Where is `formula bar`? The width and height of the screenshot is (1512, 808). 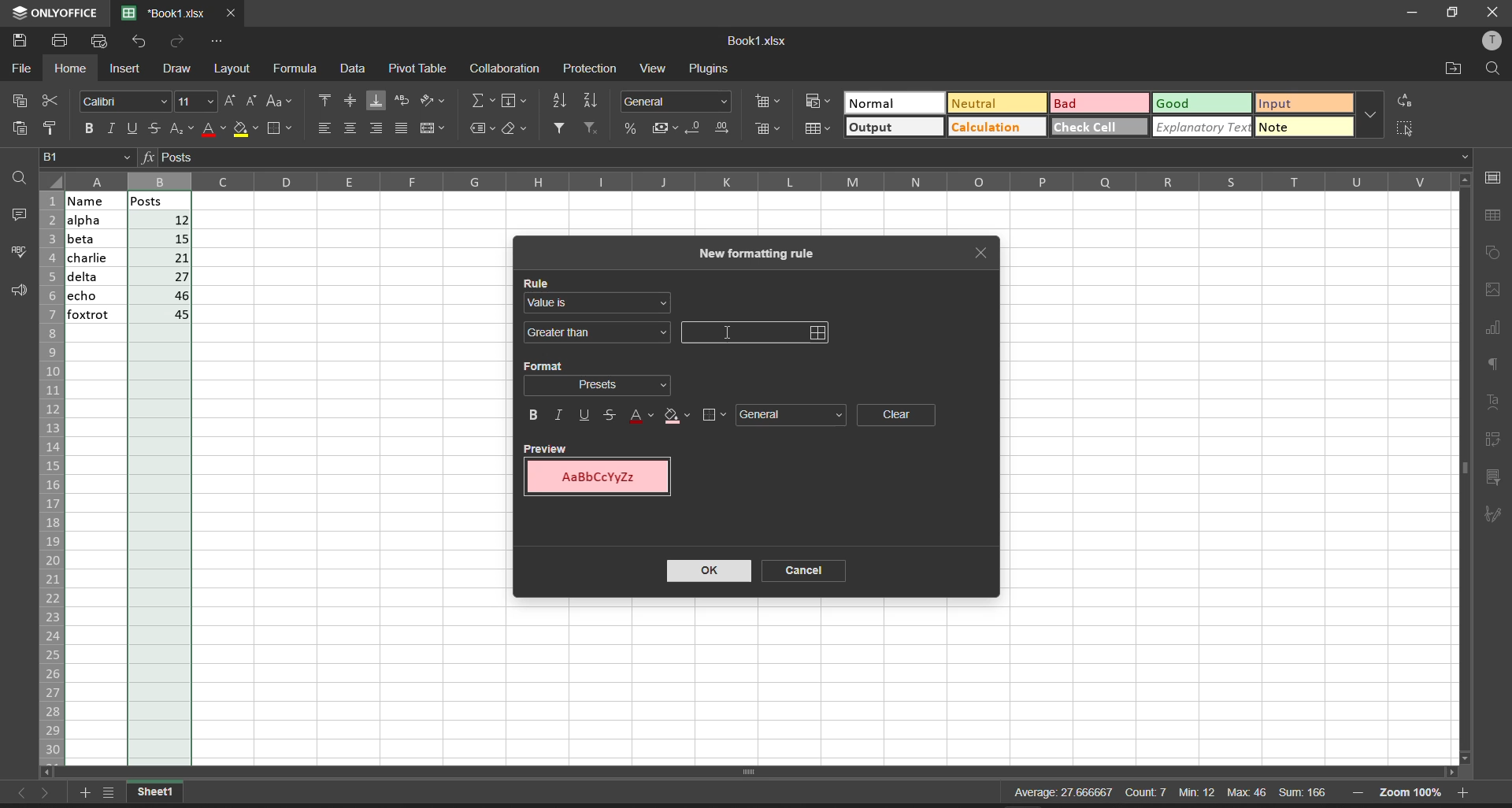 formula bar is located at coordinates (818, 159).